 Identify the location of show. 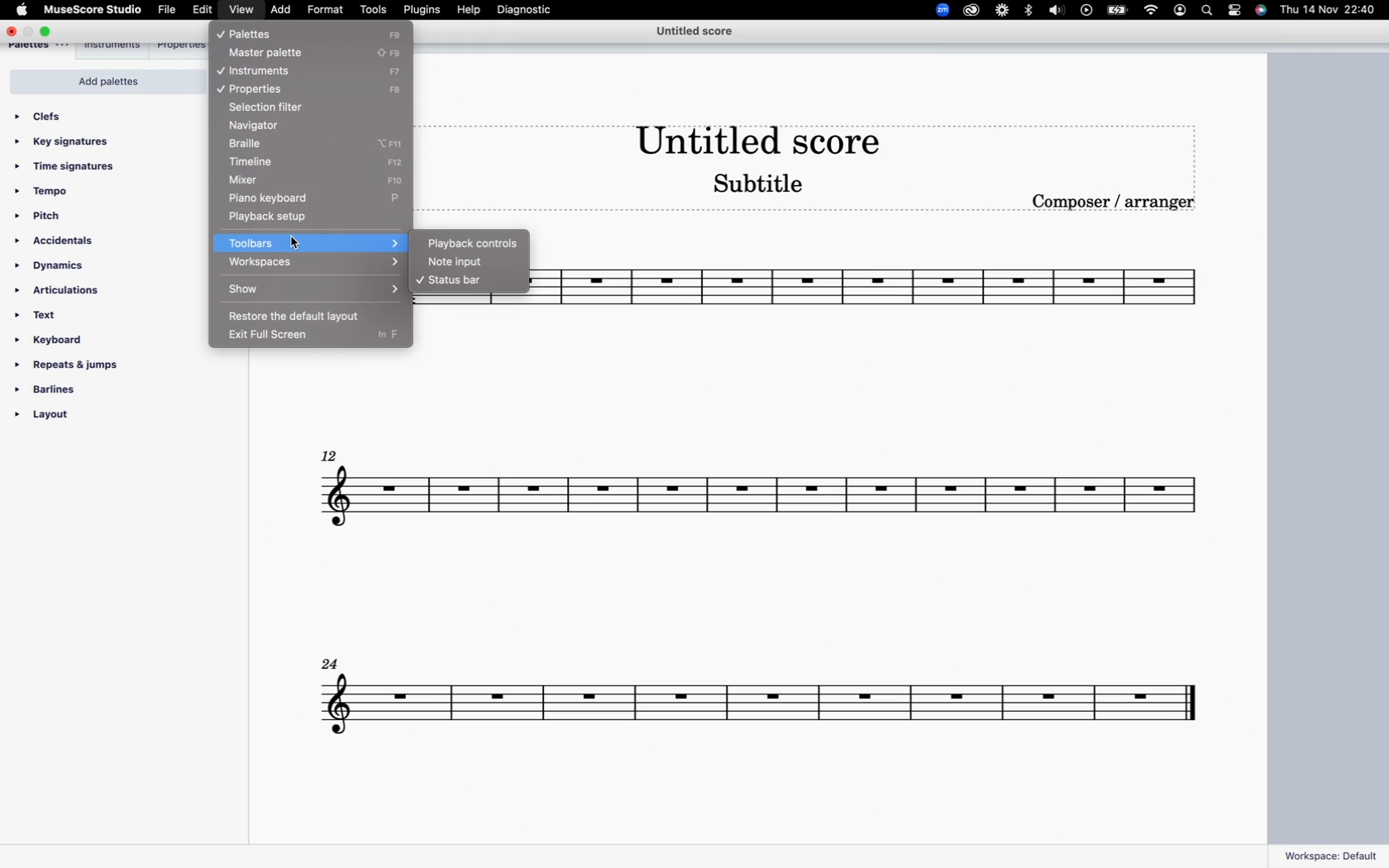
(314, 290).